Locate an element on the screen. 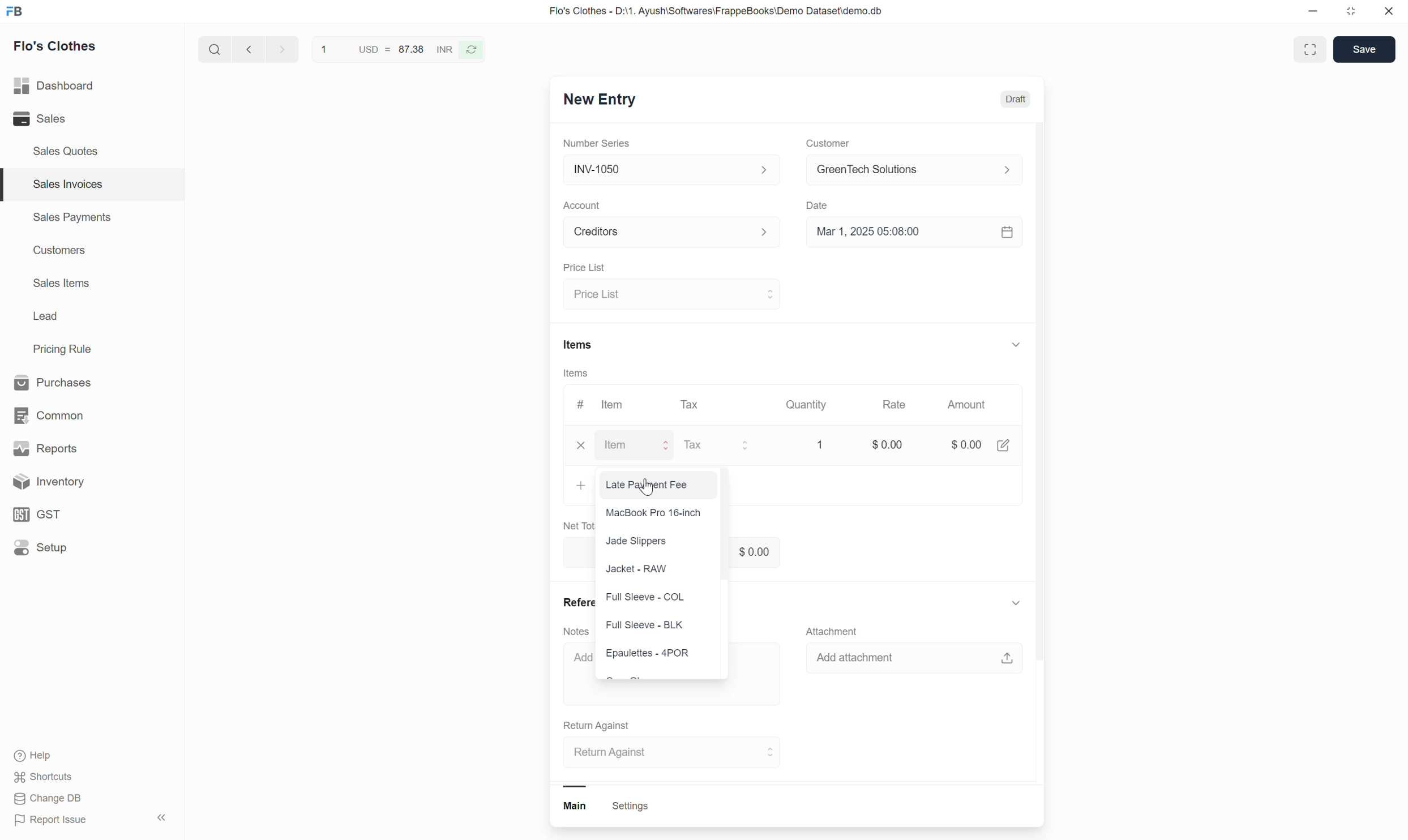 This screenshot has width=1408, height=840. Number Series is located at coordinates (598, 144).